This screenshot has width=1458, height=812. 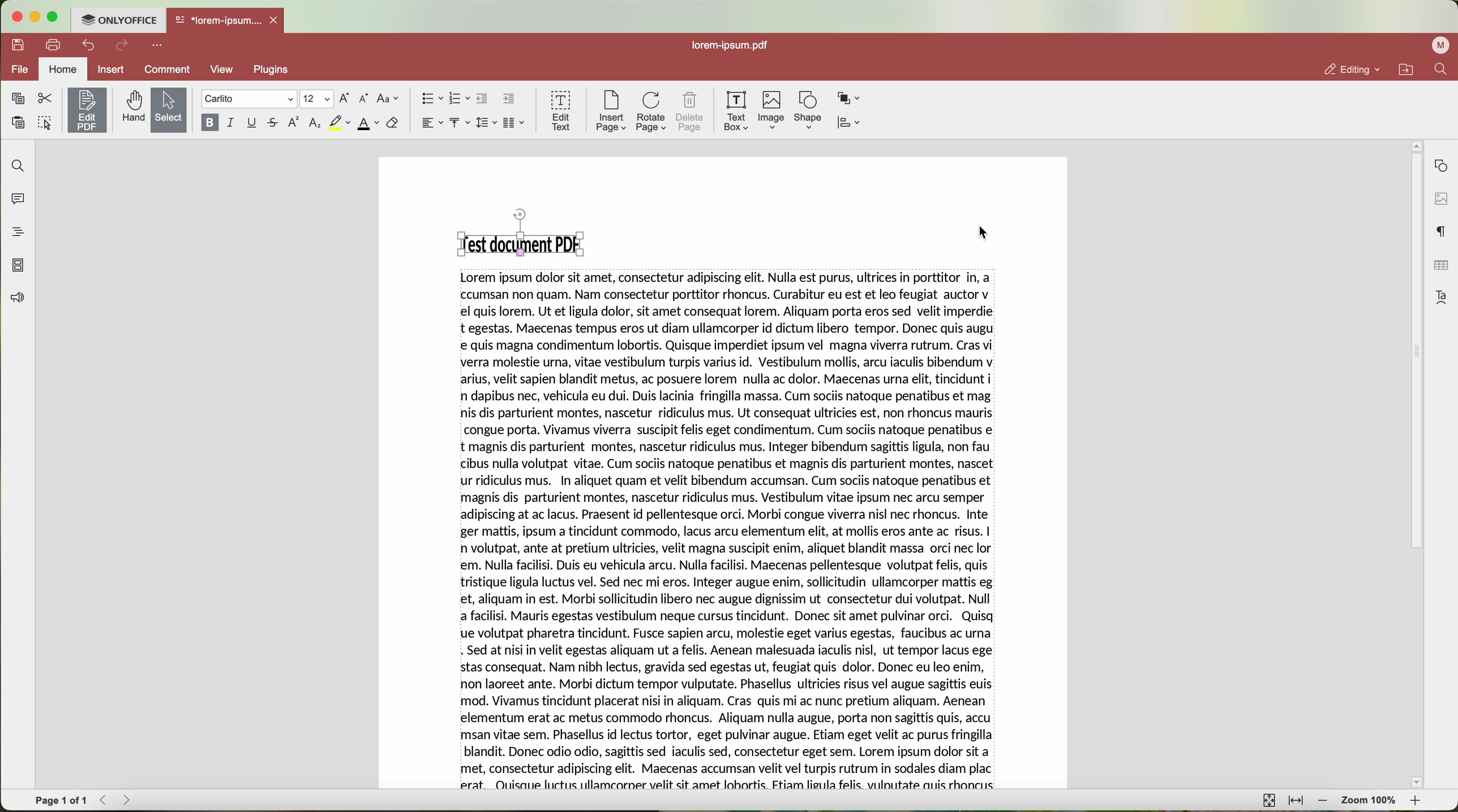 I want to click on fit to page, so click(x=1270, y=801).